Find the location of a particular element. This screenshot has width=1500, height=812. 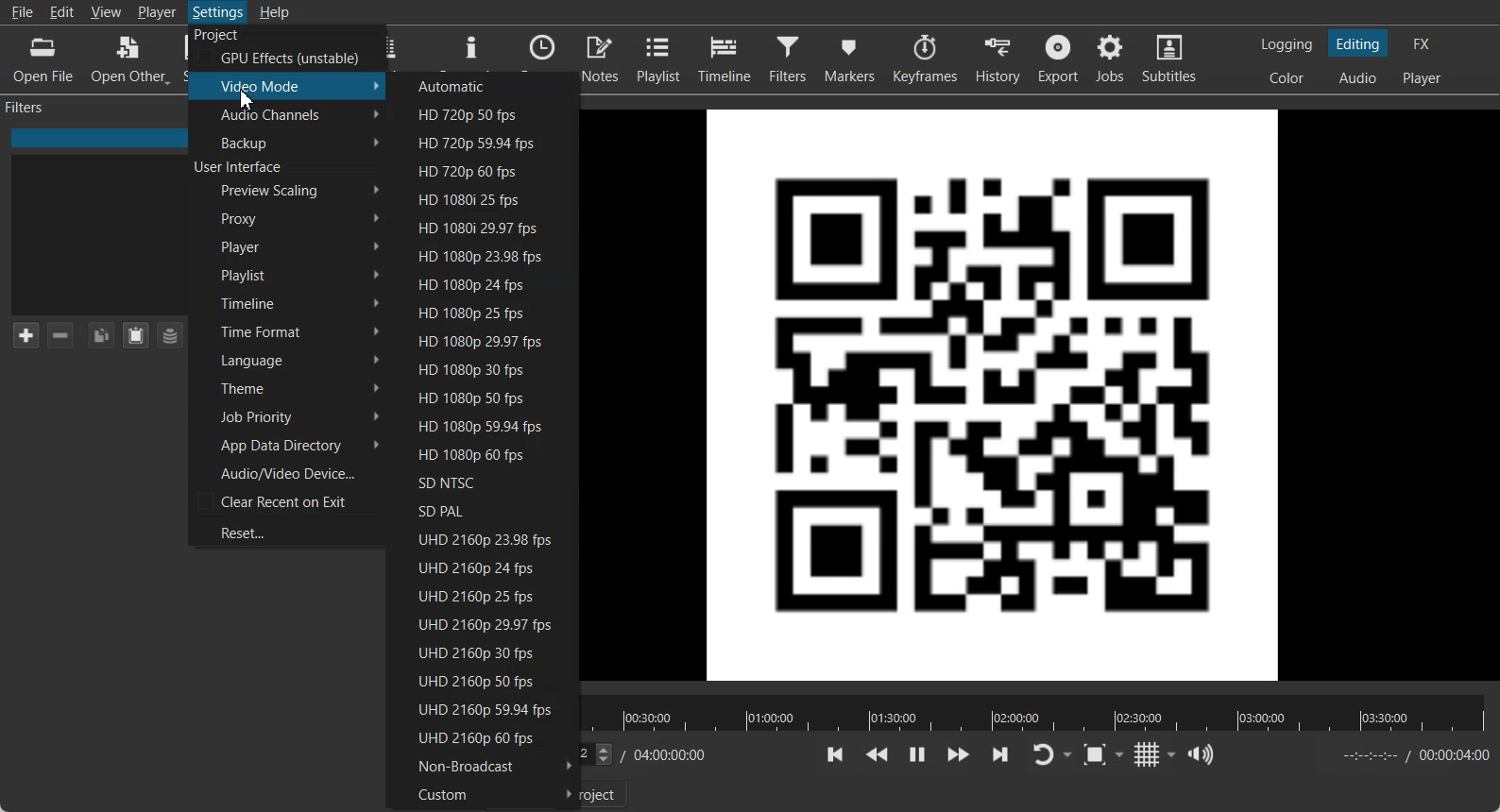

Timeline is located at coordinates (287, 301).